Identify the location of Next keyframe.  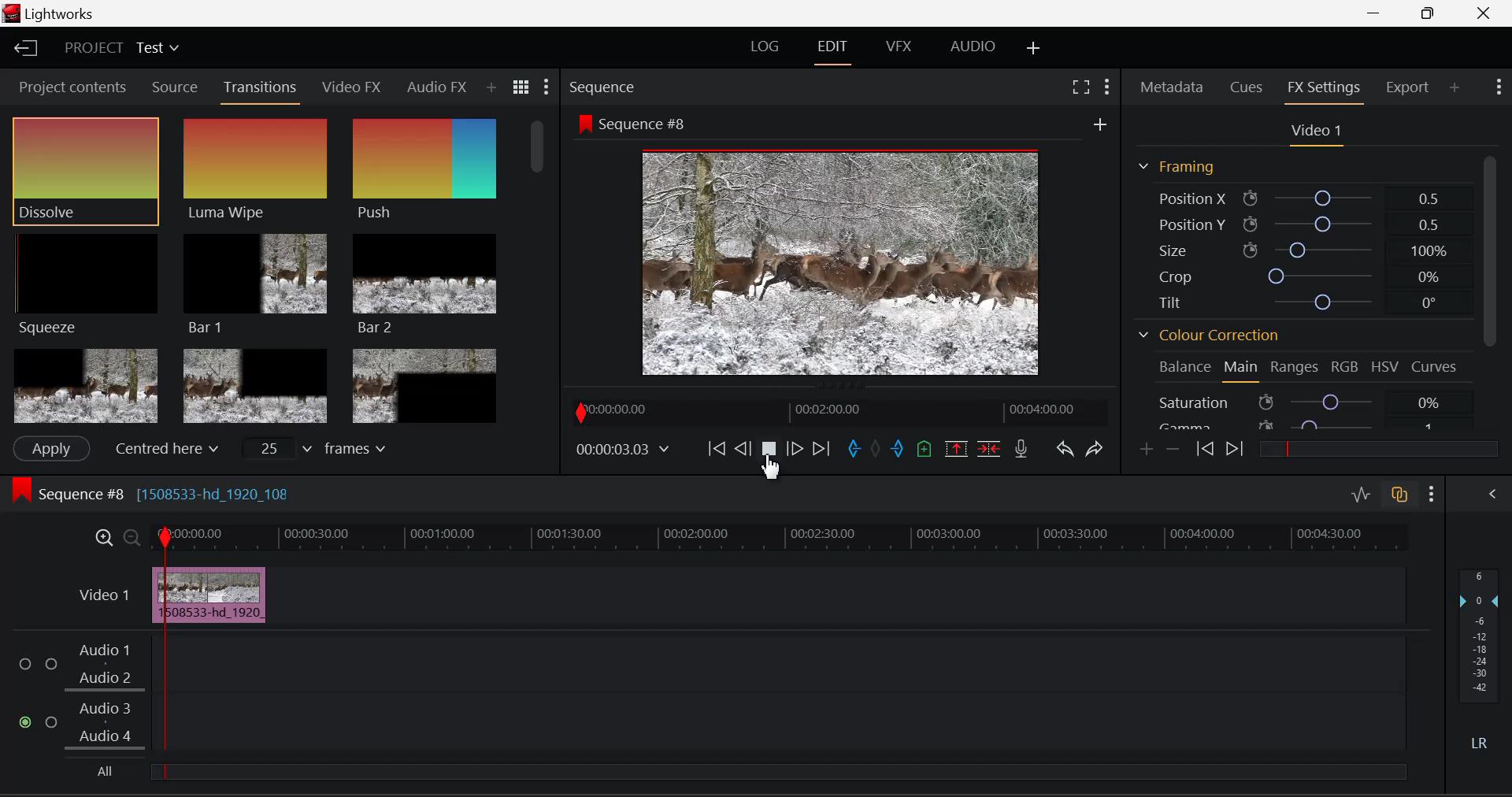
(1232, 449).